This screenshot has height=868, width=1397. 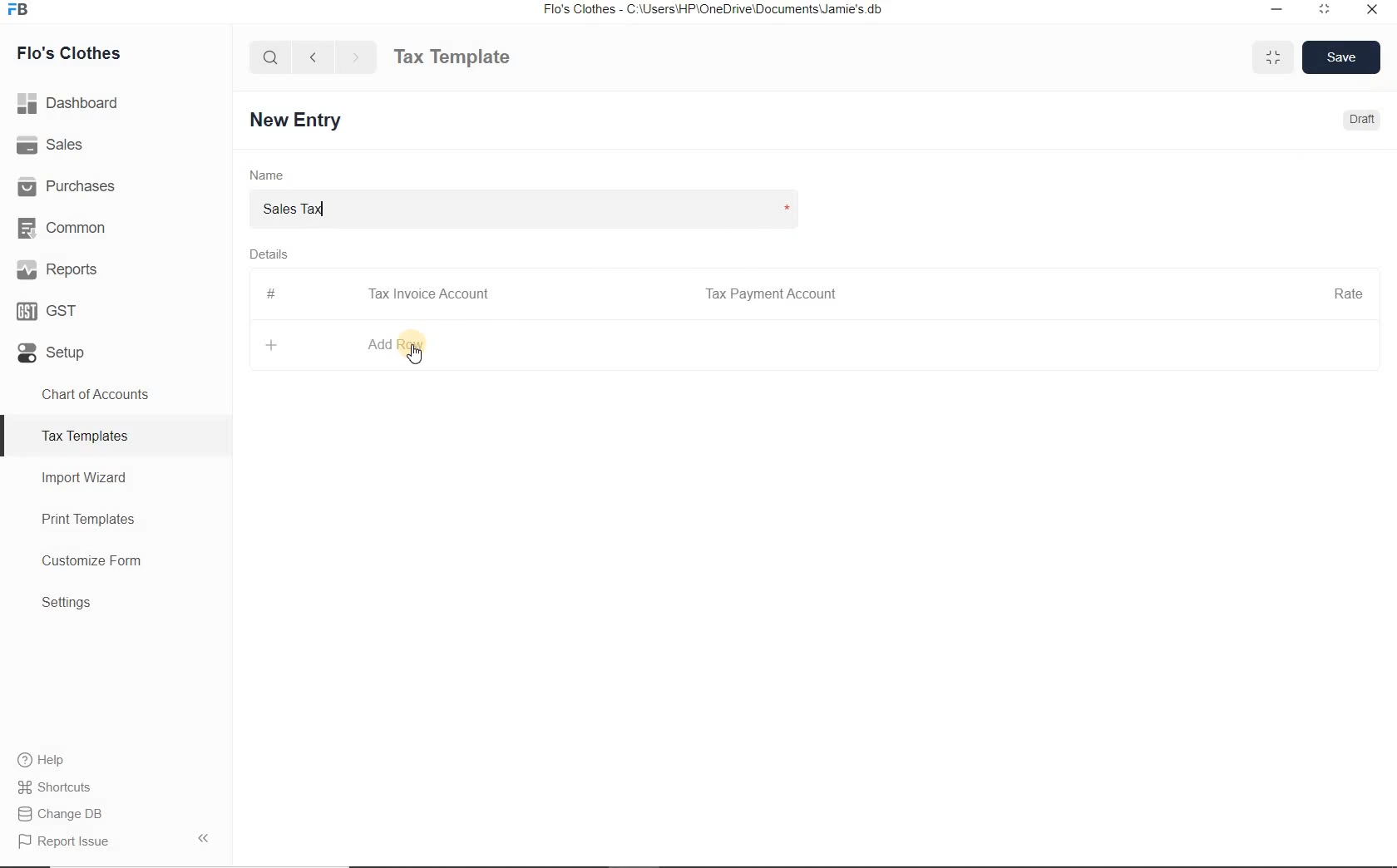 I want to click on Purchases, so click(x=116, y=184).